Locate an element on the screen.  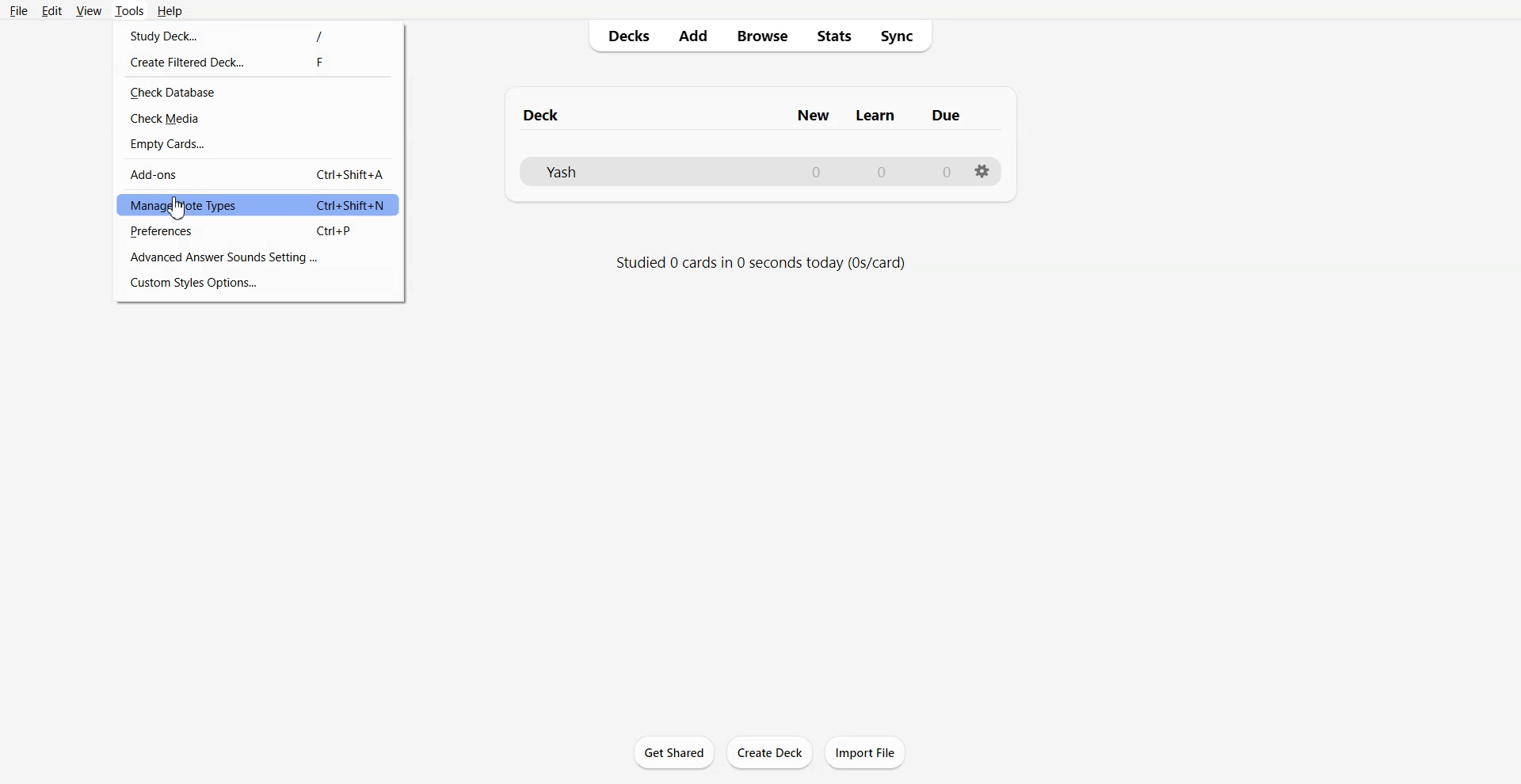
Stats is located at coordinates (835, 36).